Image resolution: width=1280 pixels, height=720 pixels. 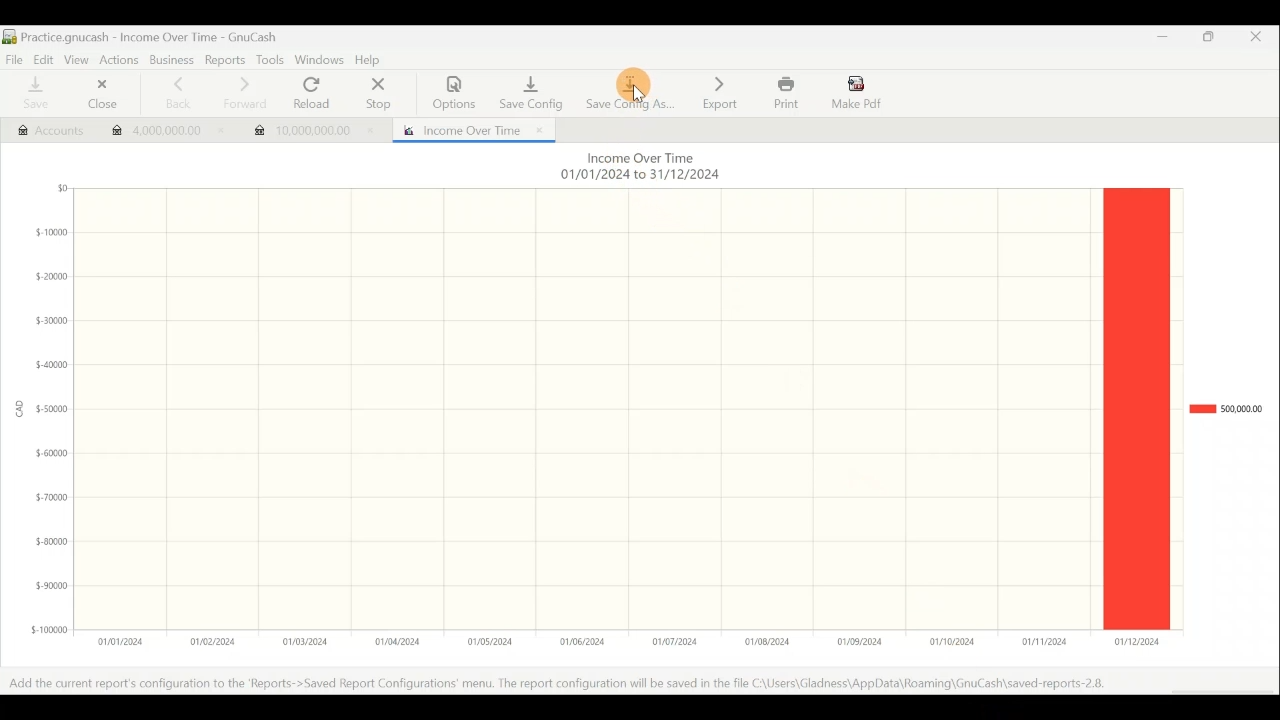 I want to click on Chart legend, so click(x=1225, y=409).